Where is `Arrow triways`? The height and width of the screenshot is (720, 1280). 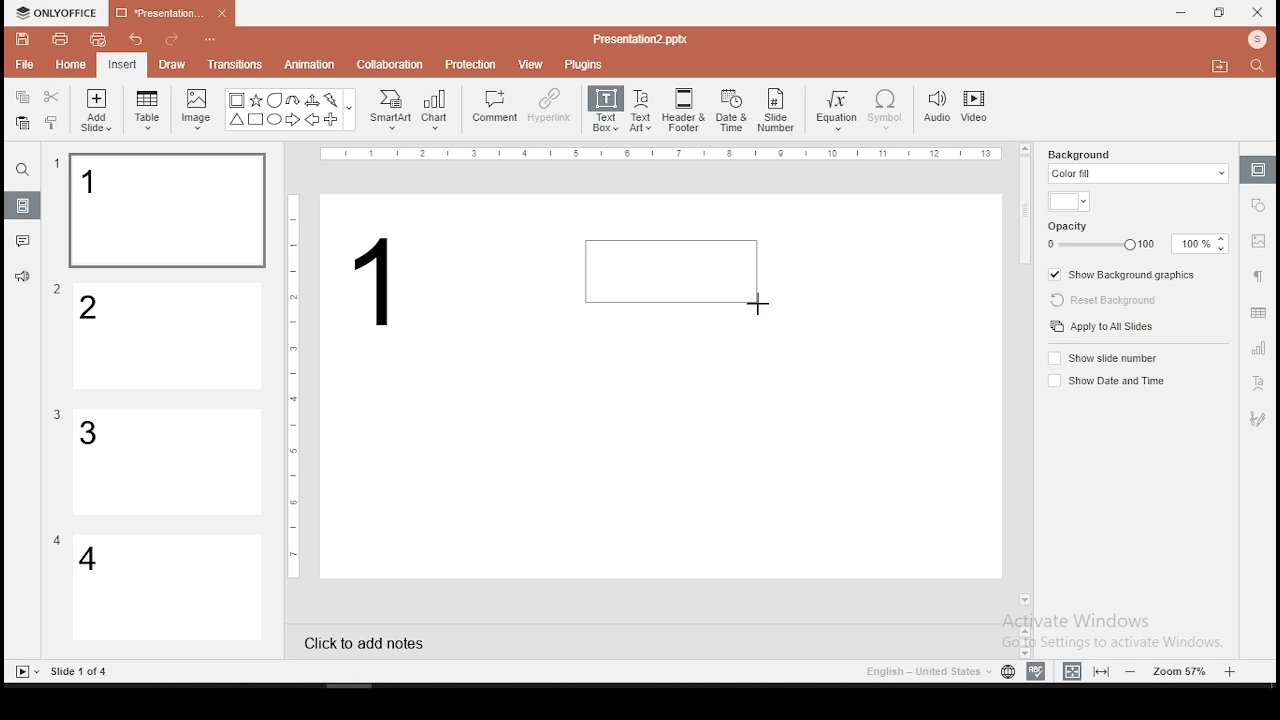 Arrow triways is located at coordinates (313, 100).